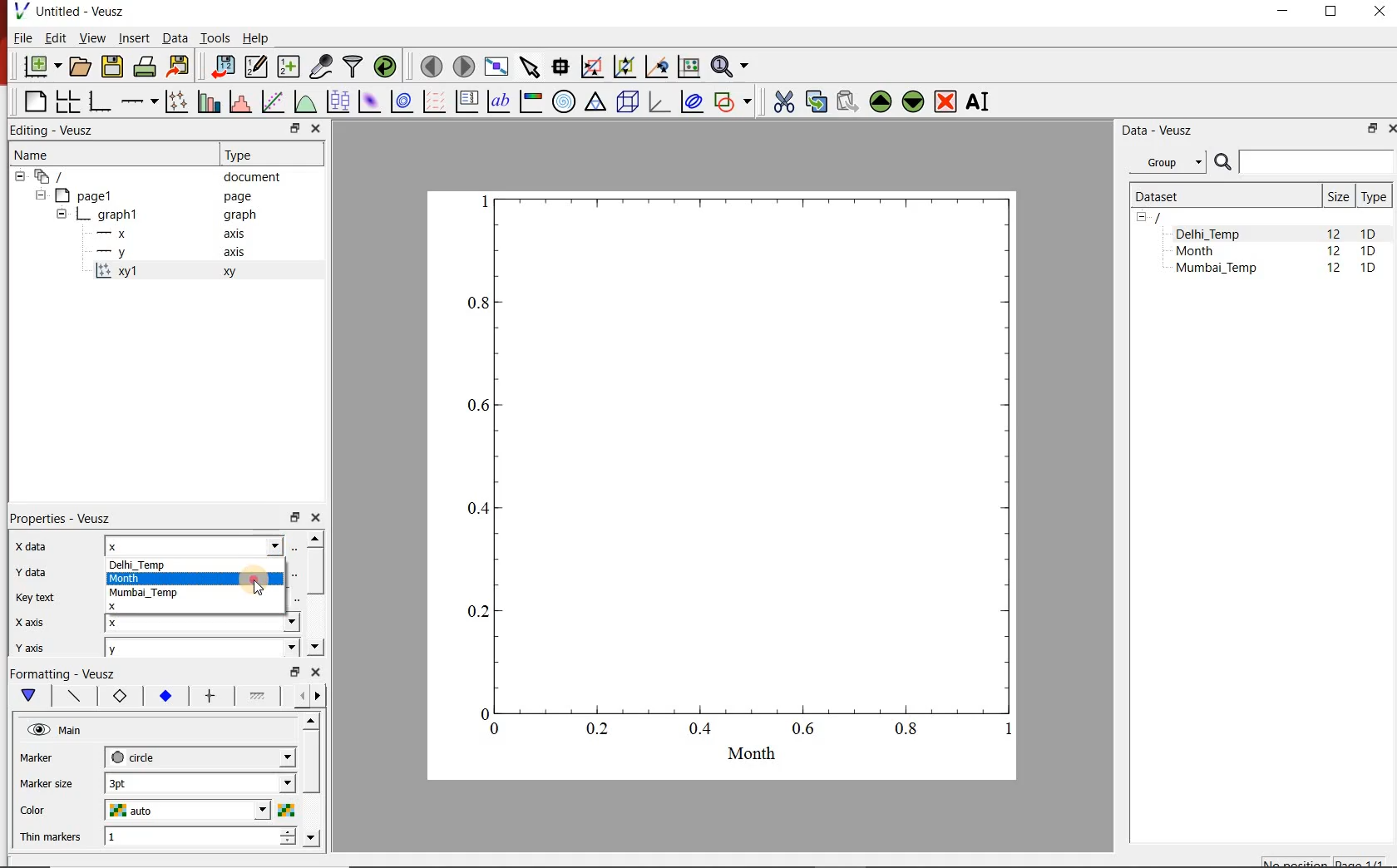  Describe the element at coordinates (137, 101) in the screenshot. I see `Add an axis to the plot` at that location.